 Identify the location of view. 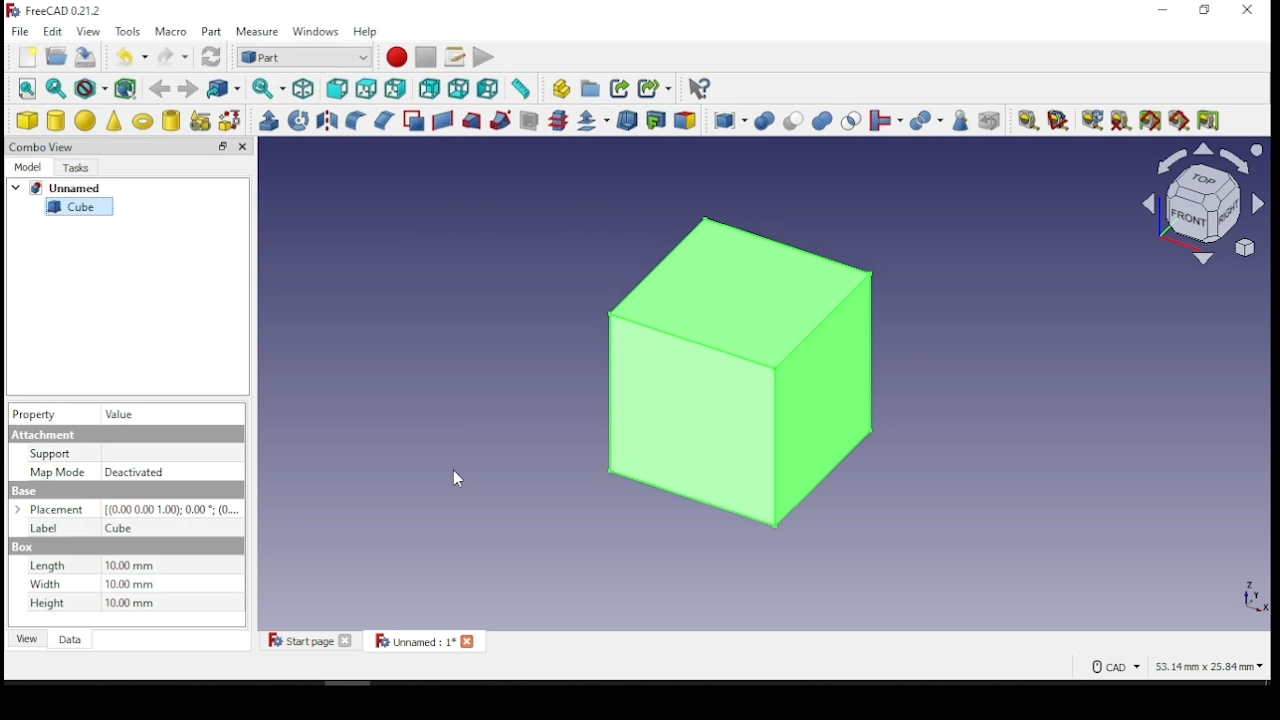
(28, 638).